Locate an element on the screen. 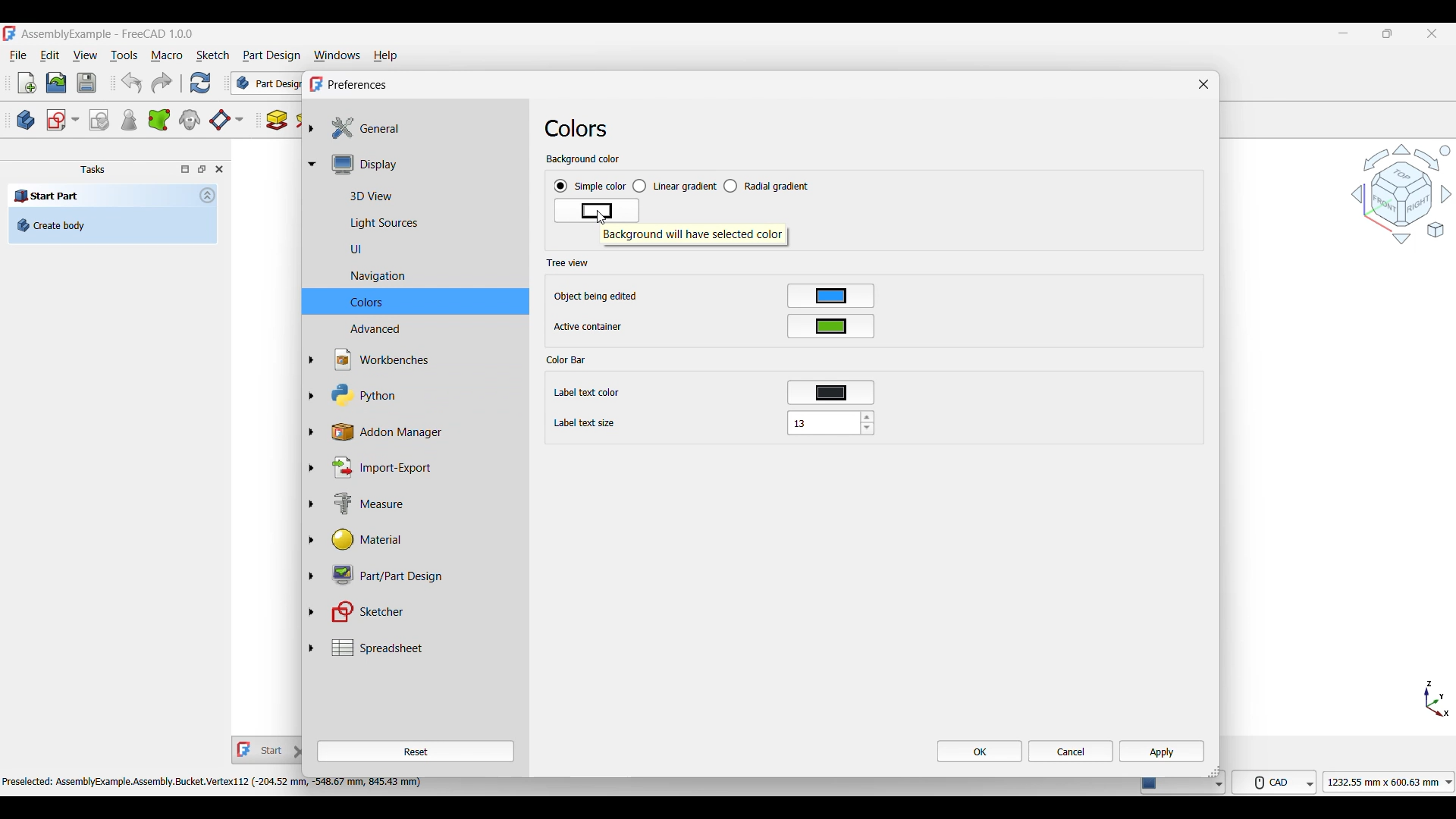 The width and height of the screenshot is (1456, 819). Sketch menu is located at coordinates (212, 55).